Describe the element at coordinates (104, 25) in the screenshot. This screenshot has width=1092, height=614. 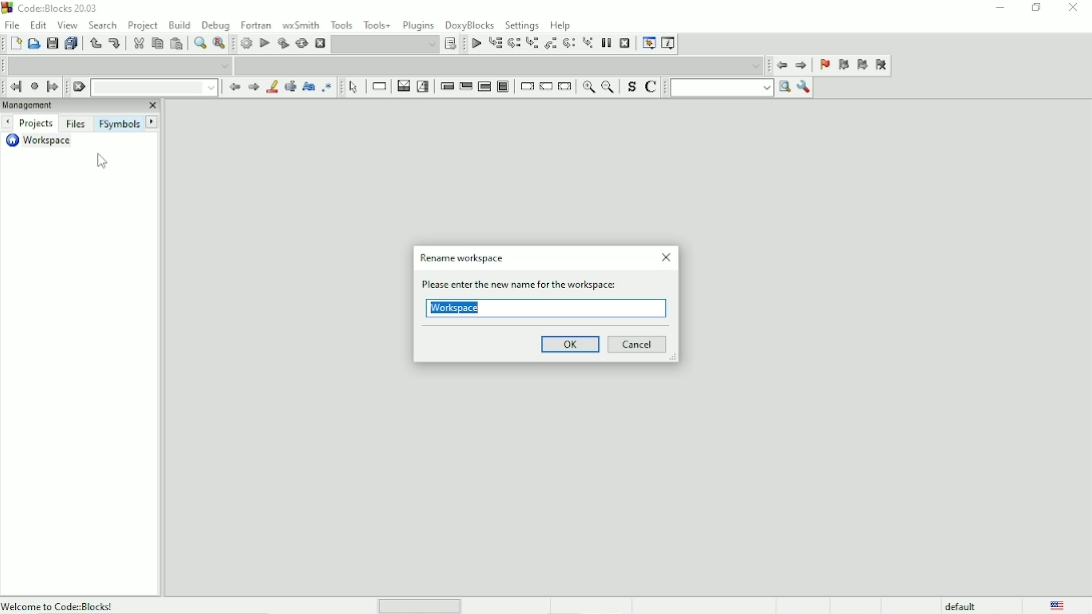
I see `Search` at that location.